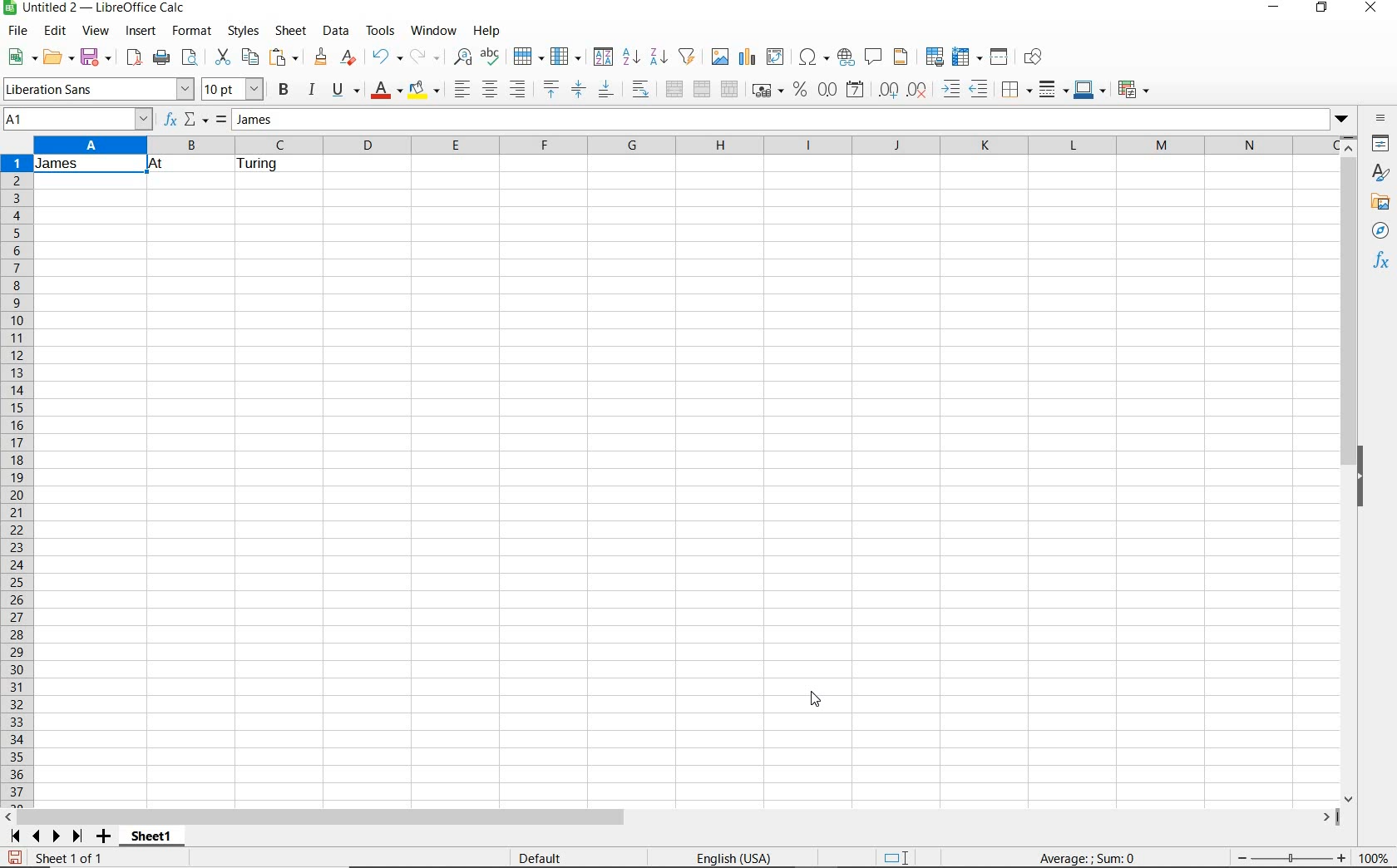 This screenshot has height=868, width=1397. Describe the element at coordinates (312, 89) in the screenshot. I see `italic` at that location.